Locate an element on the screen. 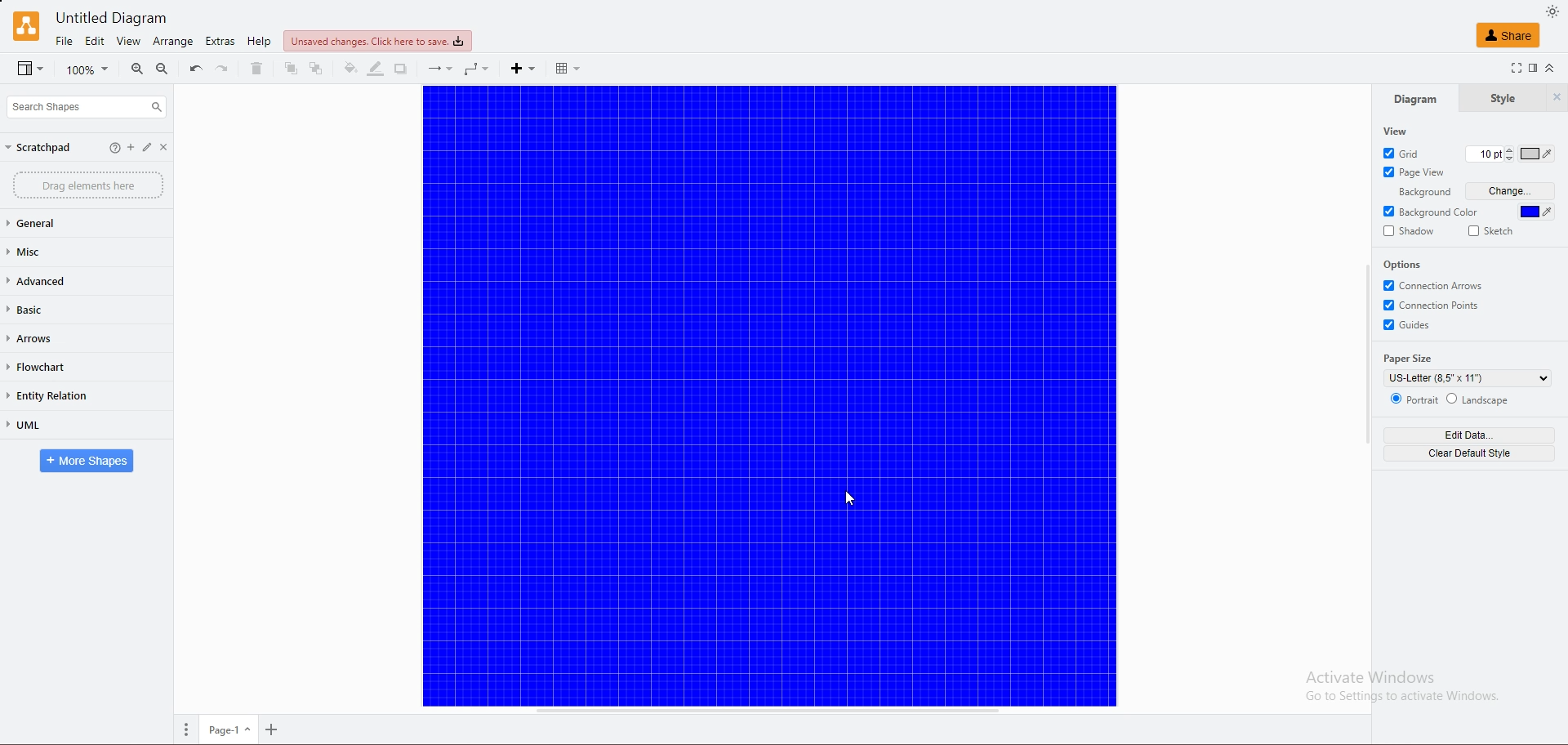 Image resolution: width=1568 pixels, height=745 pixels. hide is located at coordinates (1557, 98).